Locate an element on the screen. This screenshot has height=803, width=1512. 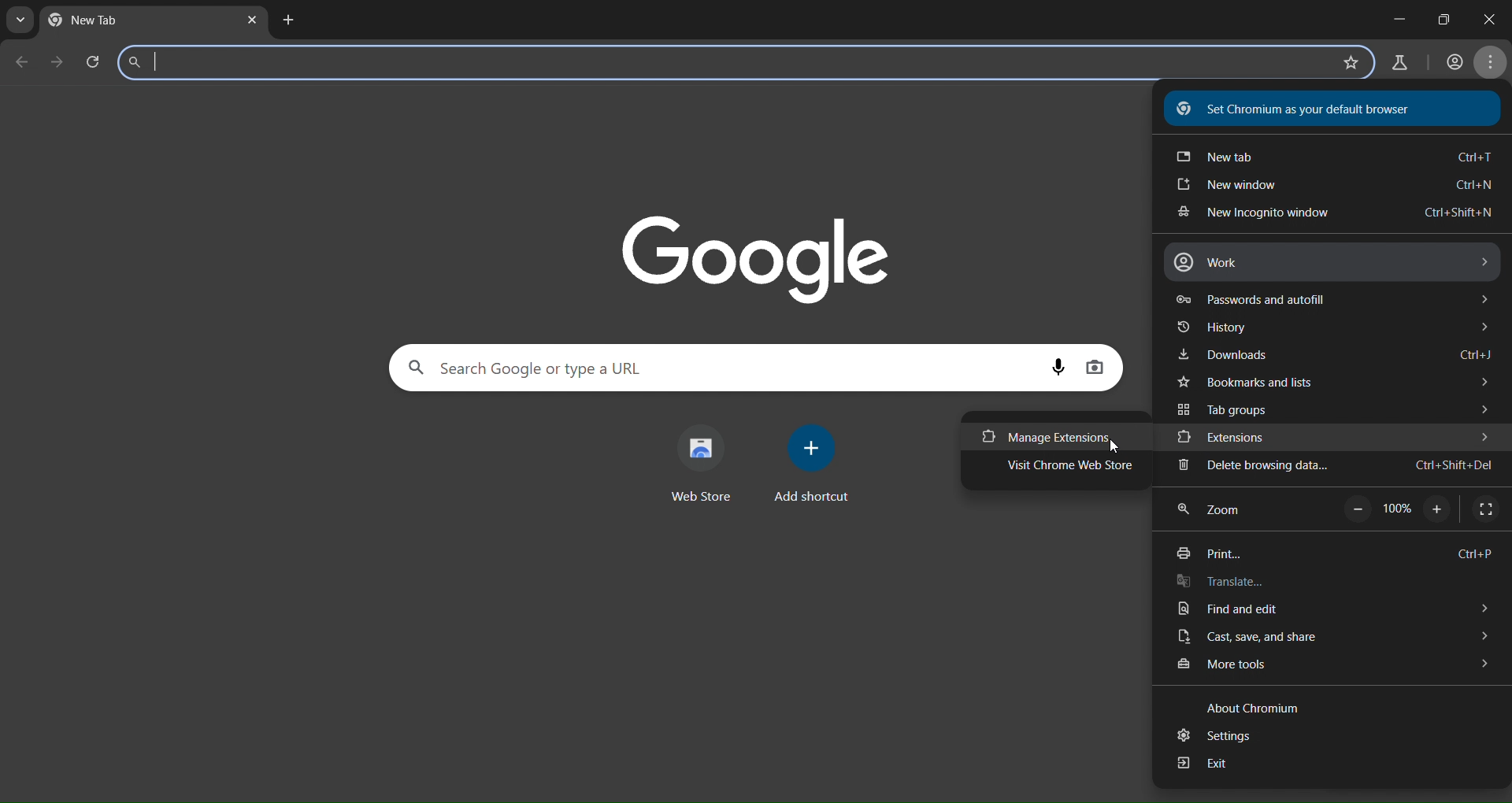
new window is located at coordinates (1328, 185).